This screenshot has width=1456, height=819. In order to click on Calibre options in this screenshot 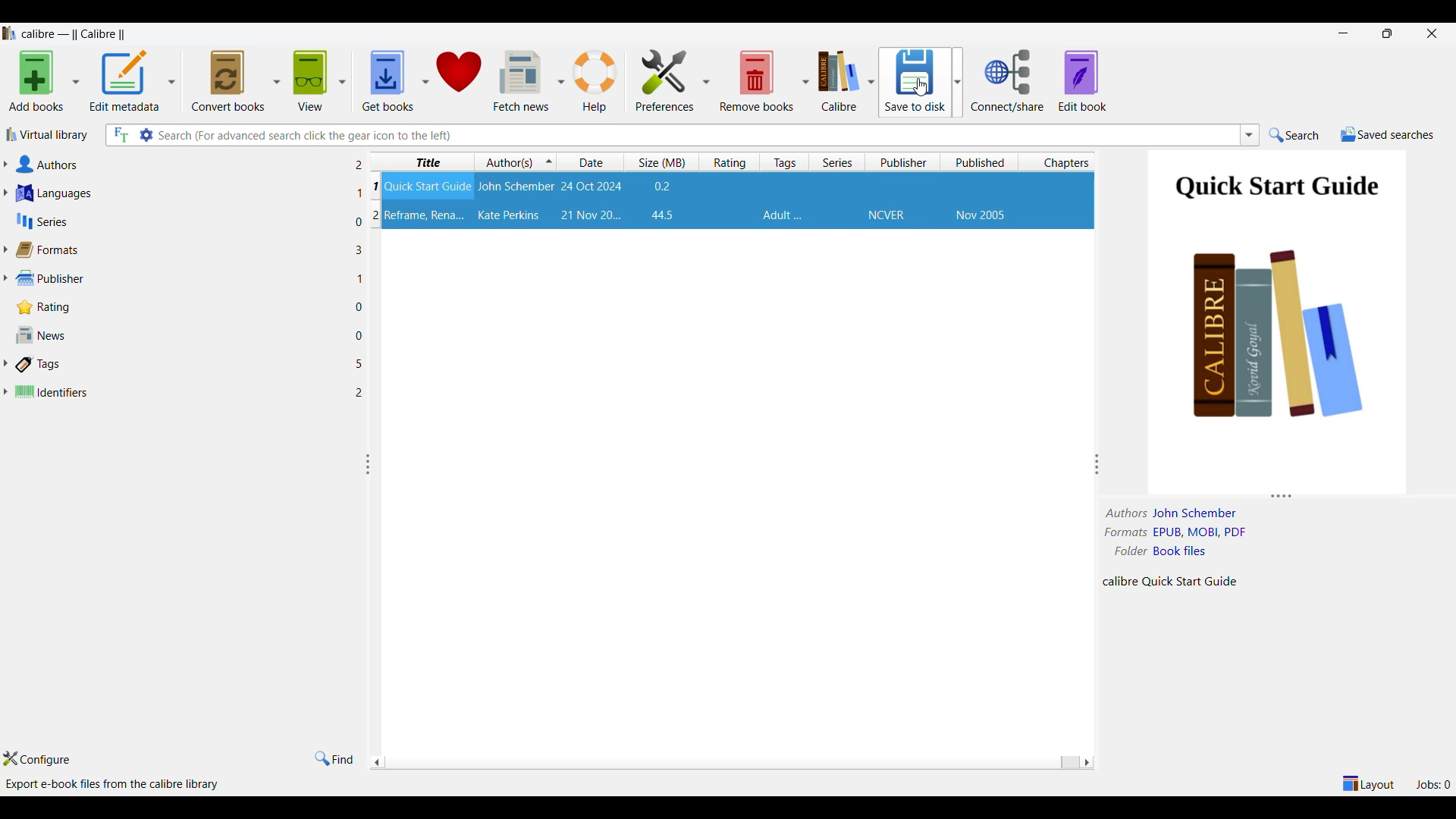, I will do `click(846, 80)`.